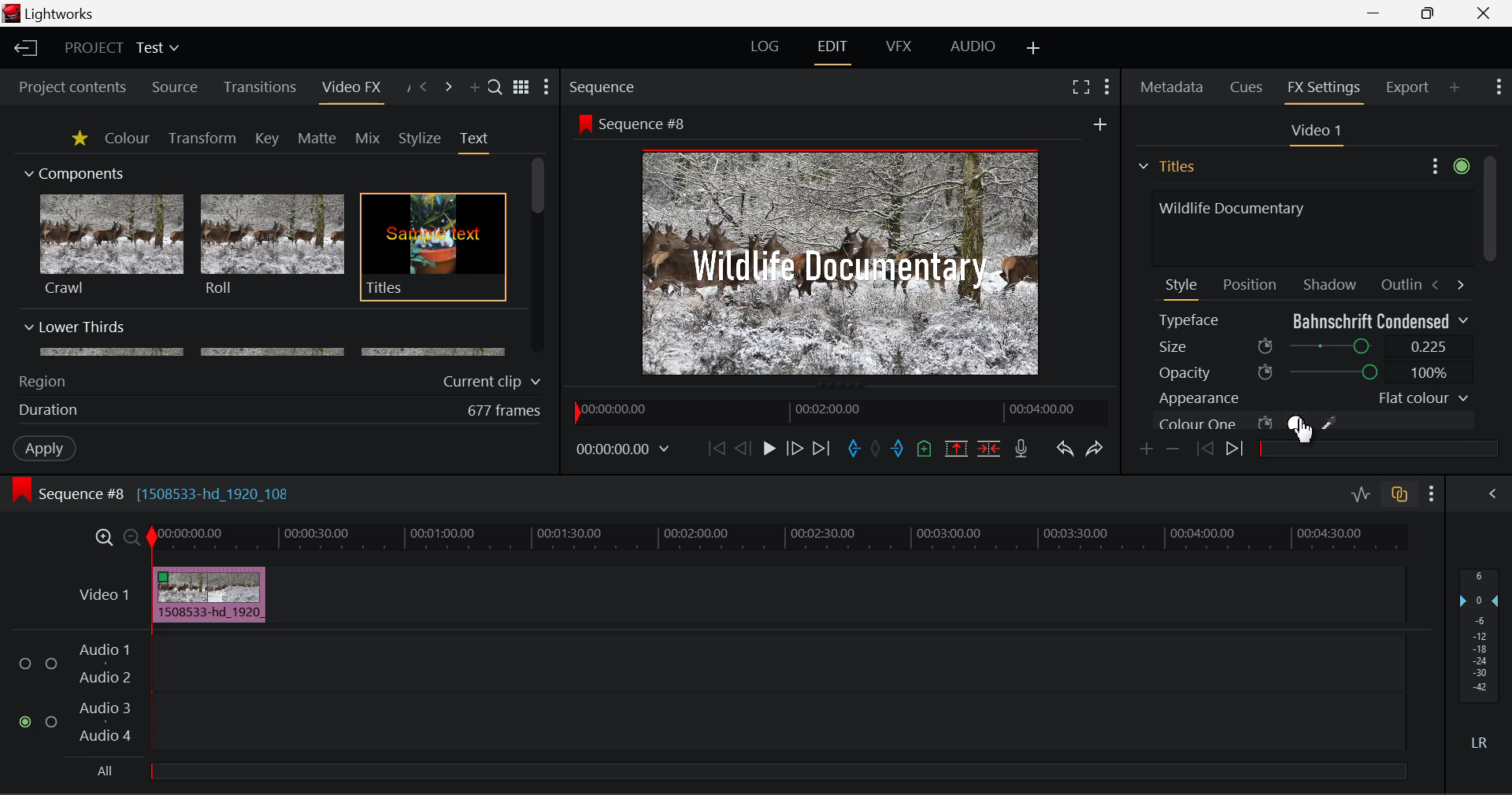 The width and height of the screenshot is (1512, 795). Describe the element at coordinates (104, 542) in the screenshot. I see `Zoom In Timeline` at that location.